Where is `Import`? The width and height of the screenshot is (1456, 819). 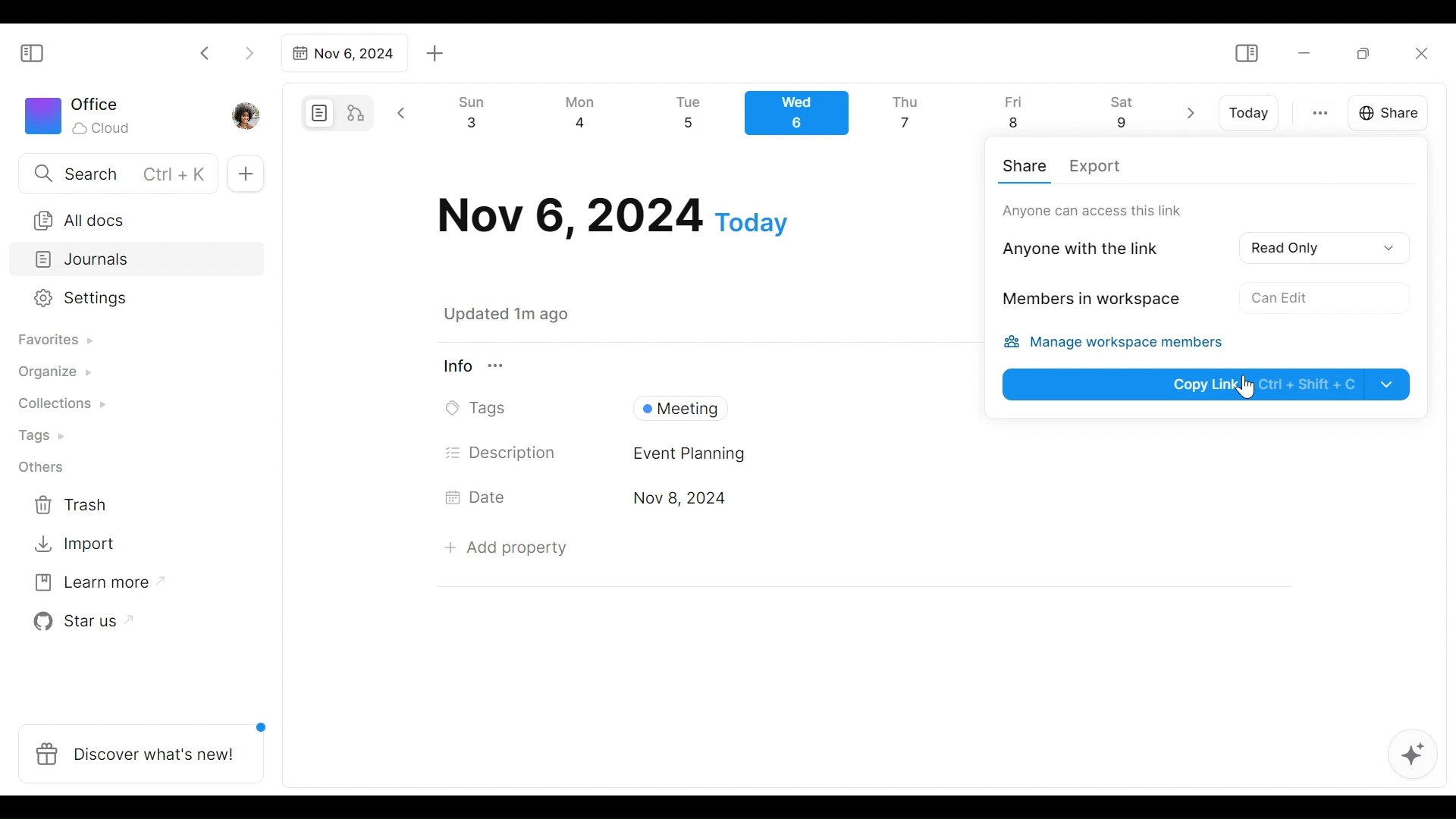 Import is located at coordinates (77, 542).